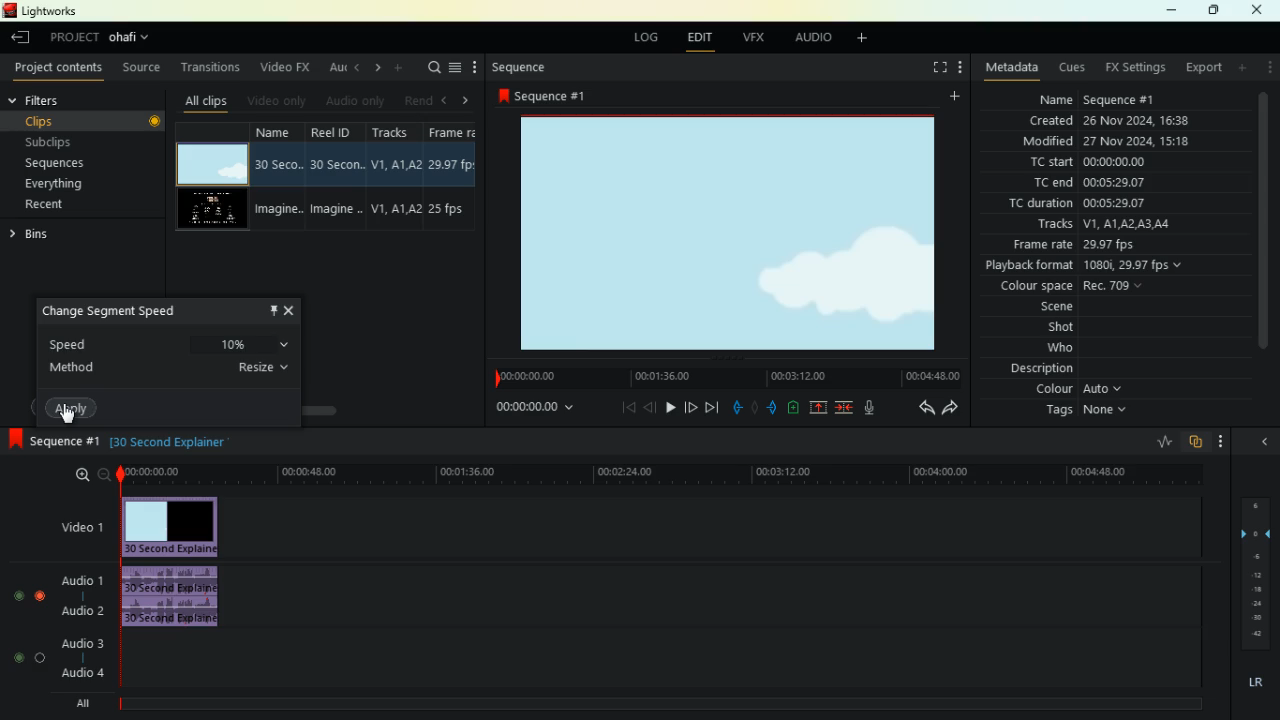 The width and height of the screenshot is (1280, 720). What do you see at coordinates (1134, 68) in the screenshot?
I see `fx settings` at bounding box center [1134, 68].